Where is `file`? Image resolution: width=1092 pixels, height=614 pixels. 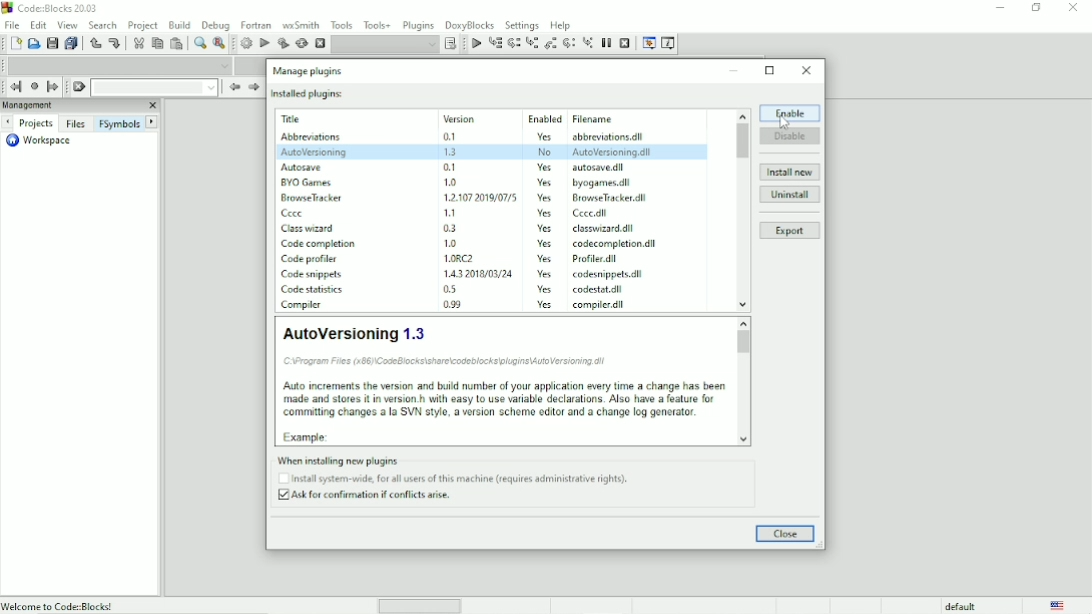
file is located at coordinates (599, 260).